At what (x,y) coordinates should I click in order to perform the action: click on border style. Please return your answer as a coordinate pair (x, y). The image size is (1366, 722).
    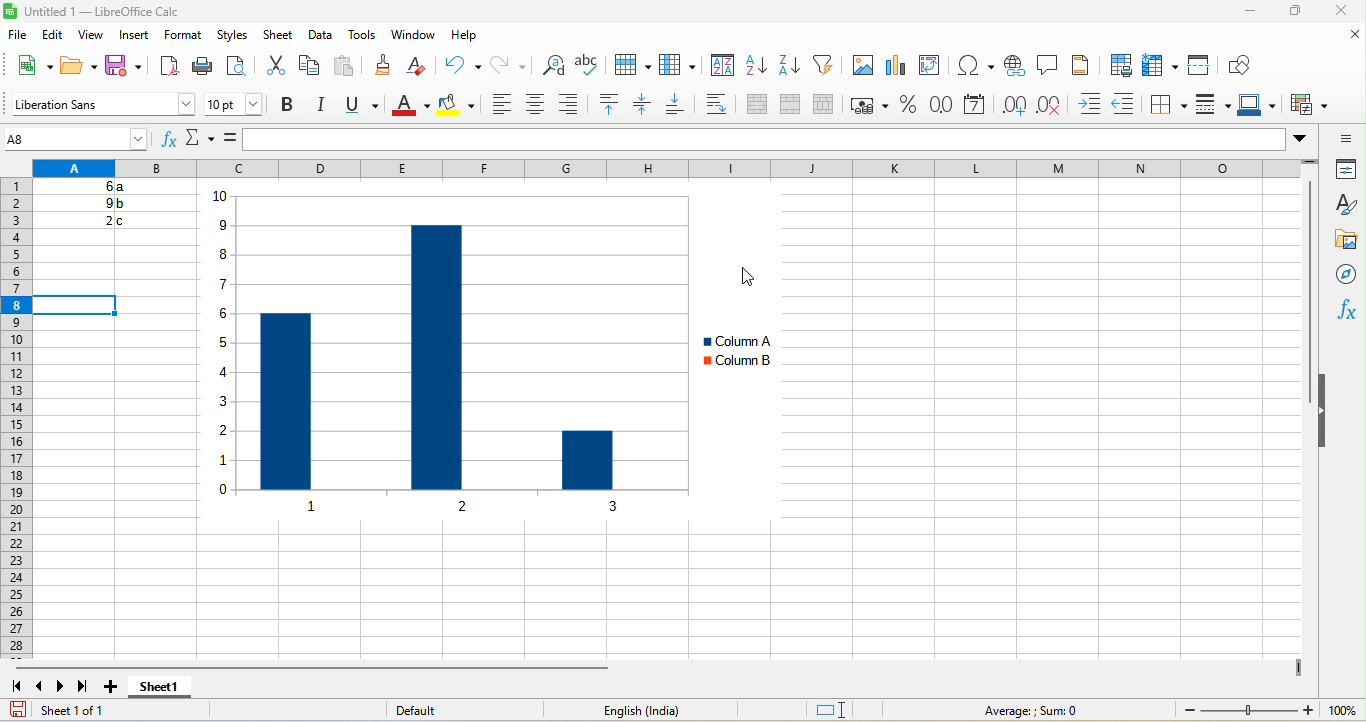
    Looking at the image, I should click on (1211, 106).